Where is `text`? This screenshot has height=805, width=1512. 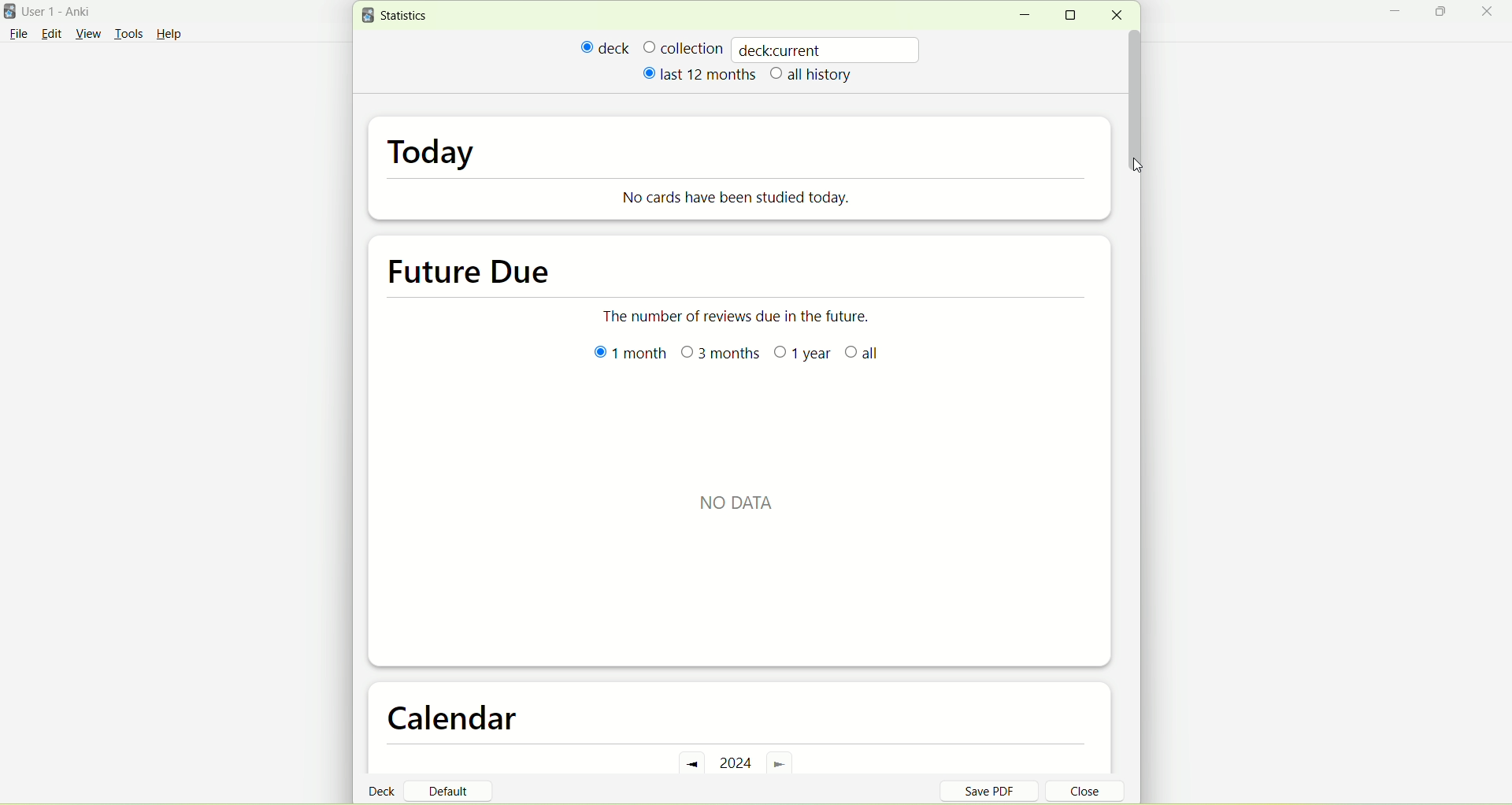
text is located at coordinates (743, 506).